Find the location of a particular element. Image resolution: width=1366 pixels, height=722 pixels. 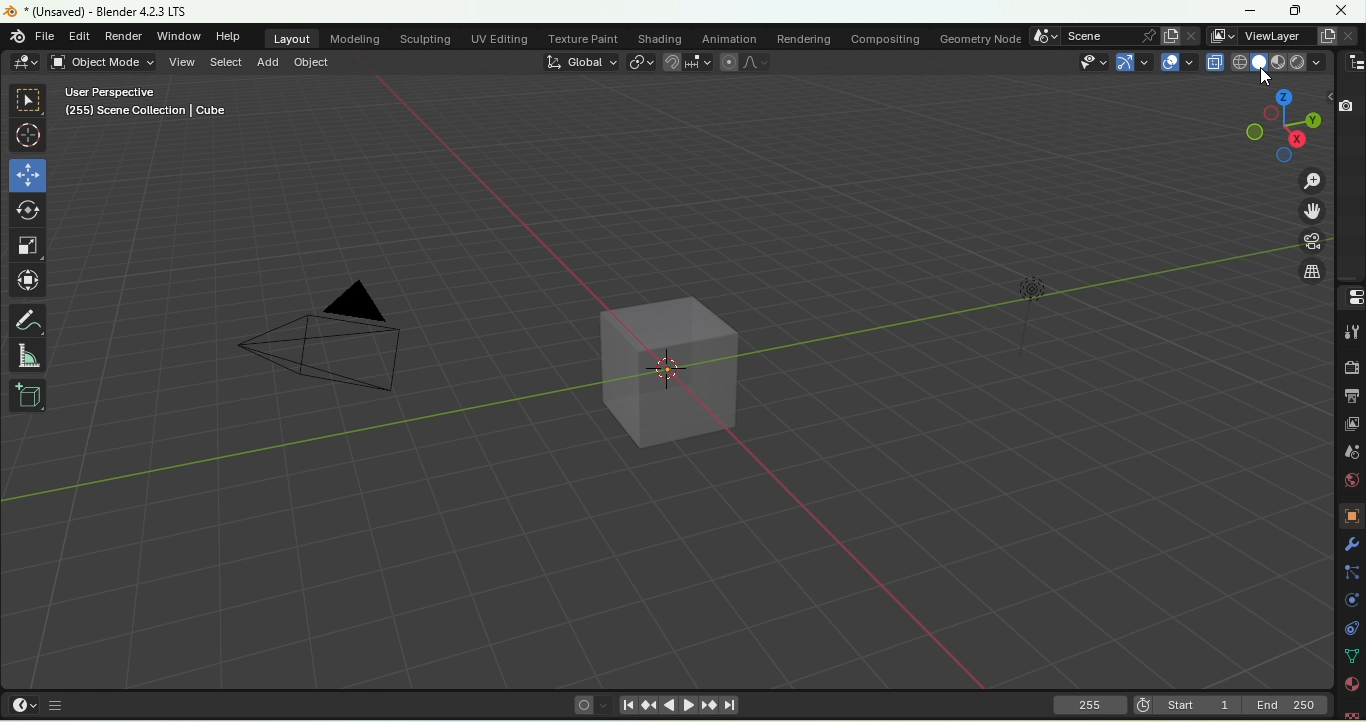

Particles is located at coordinates (1350, 573).